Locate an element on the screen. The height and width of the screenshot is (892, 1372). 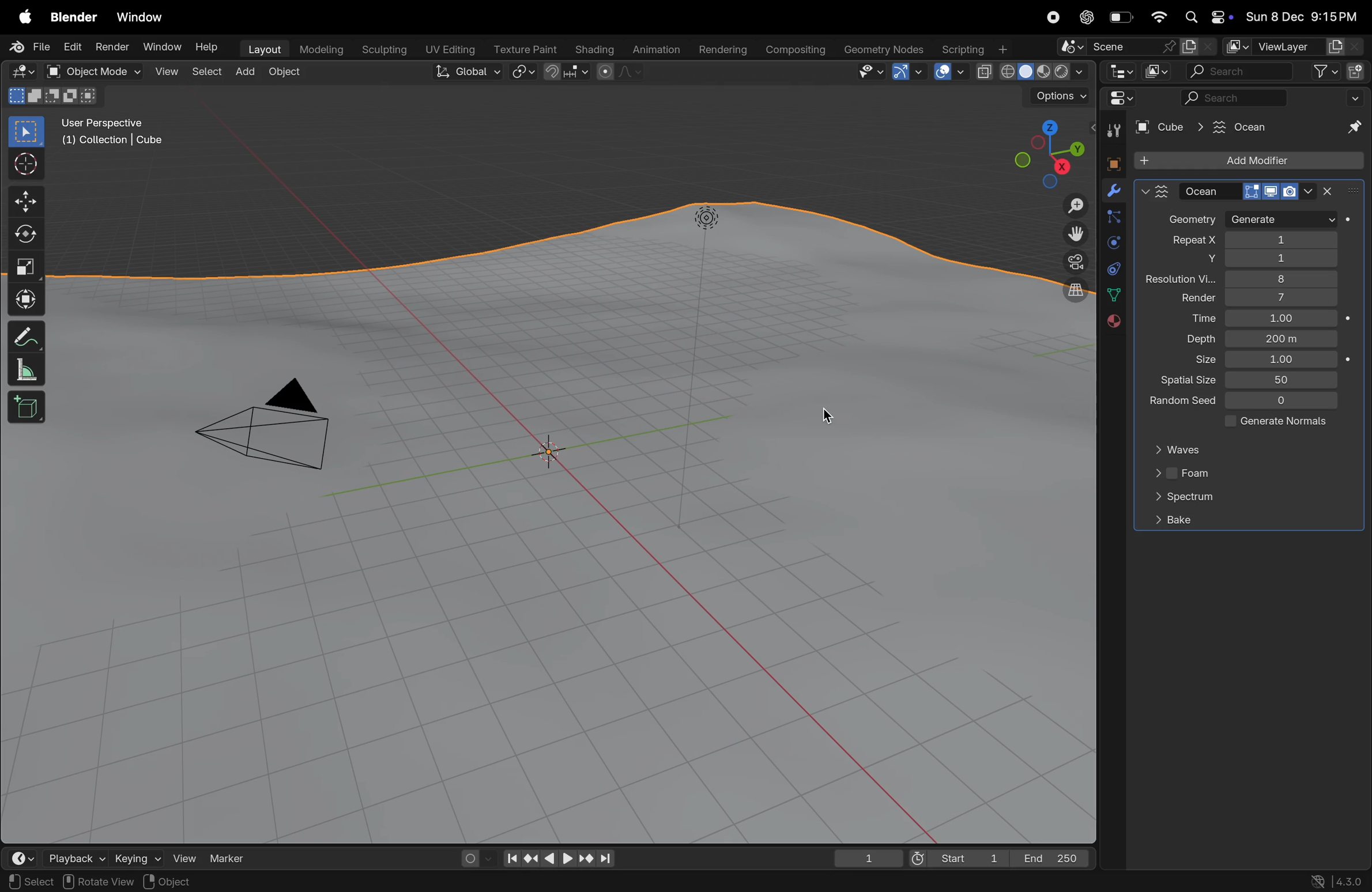
physics is located at coordinates (1113, 243).